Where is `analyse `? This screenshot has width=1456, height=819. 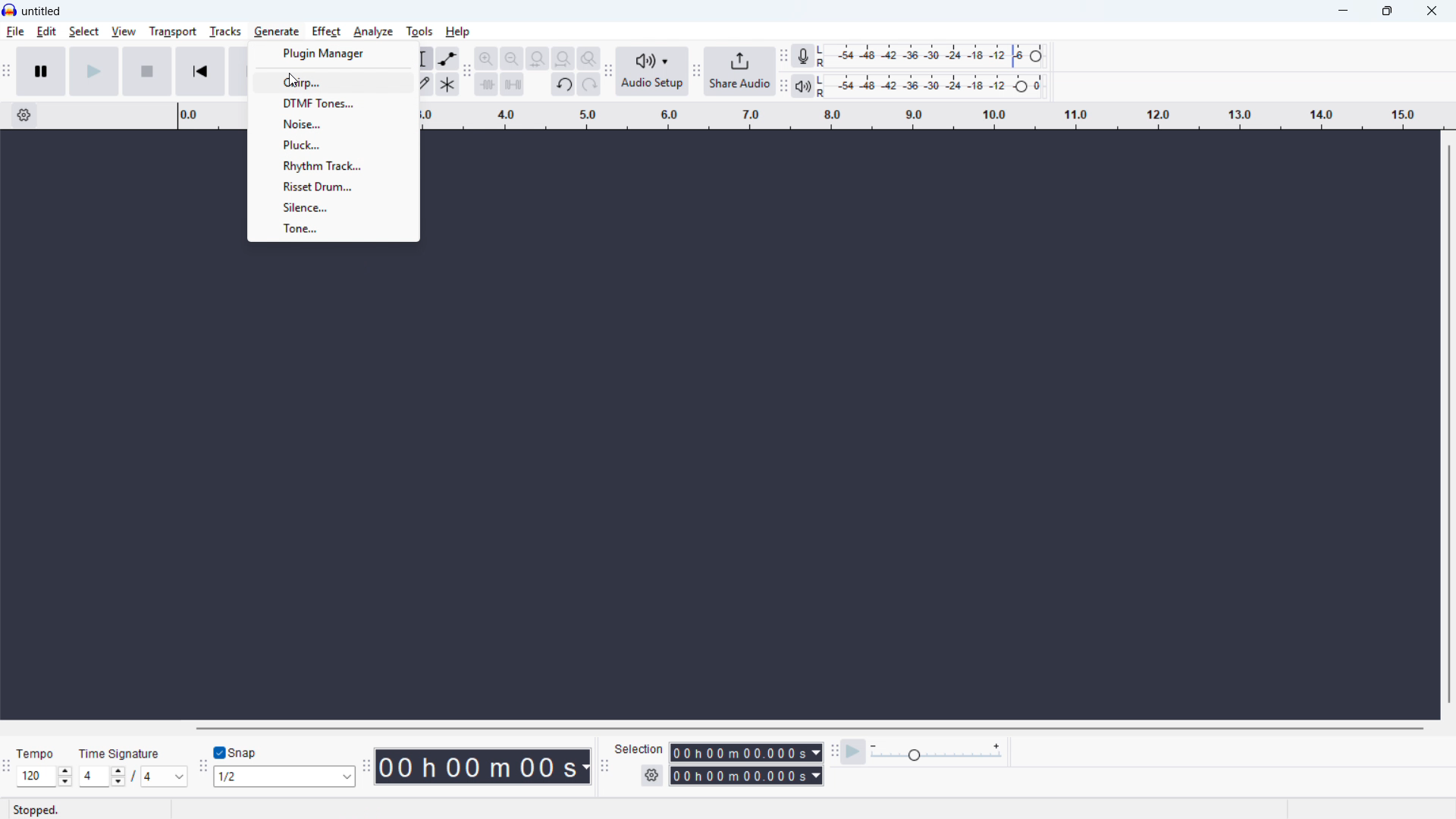
analyse  is located at coordinates (372, 33).